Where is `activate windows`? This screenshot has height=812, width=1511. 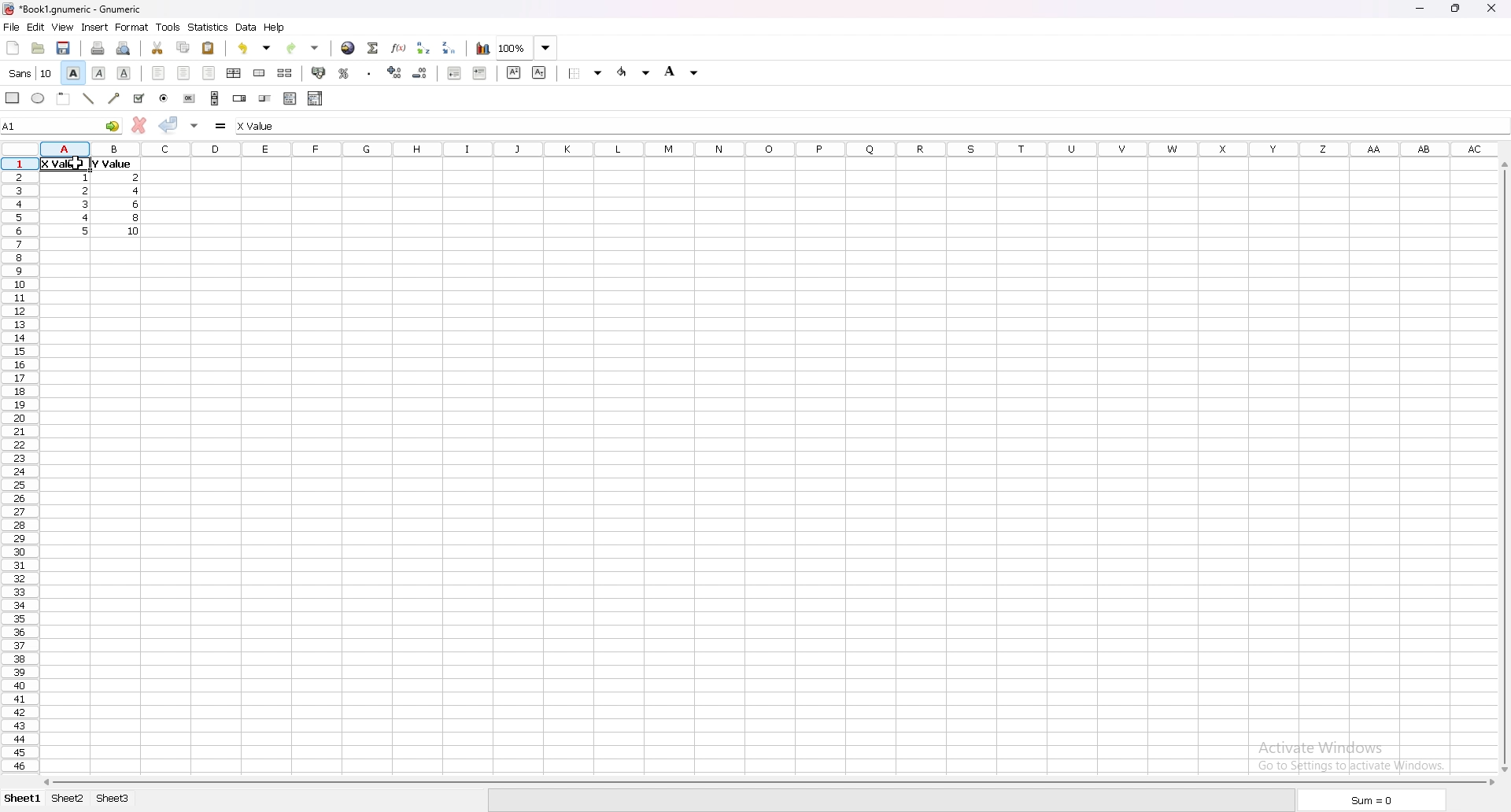
activate windows is located at coordinates (1357, 754).